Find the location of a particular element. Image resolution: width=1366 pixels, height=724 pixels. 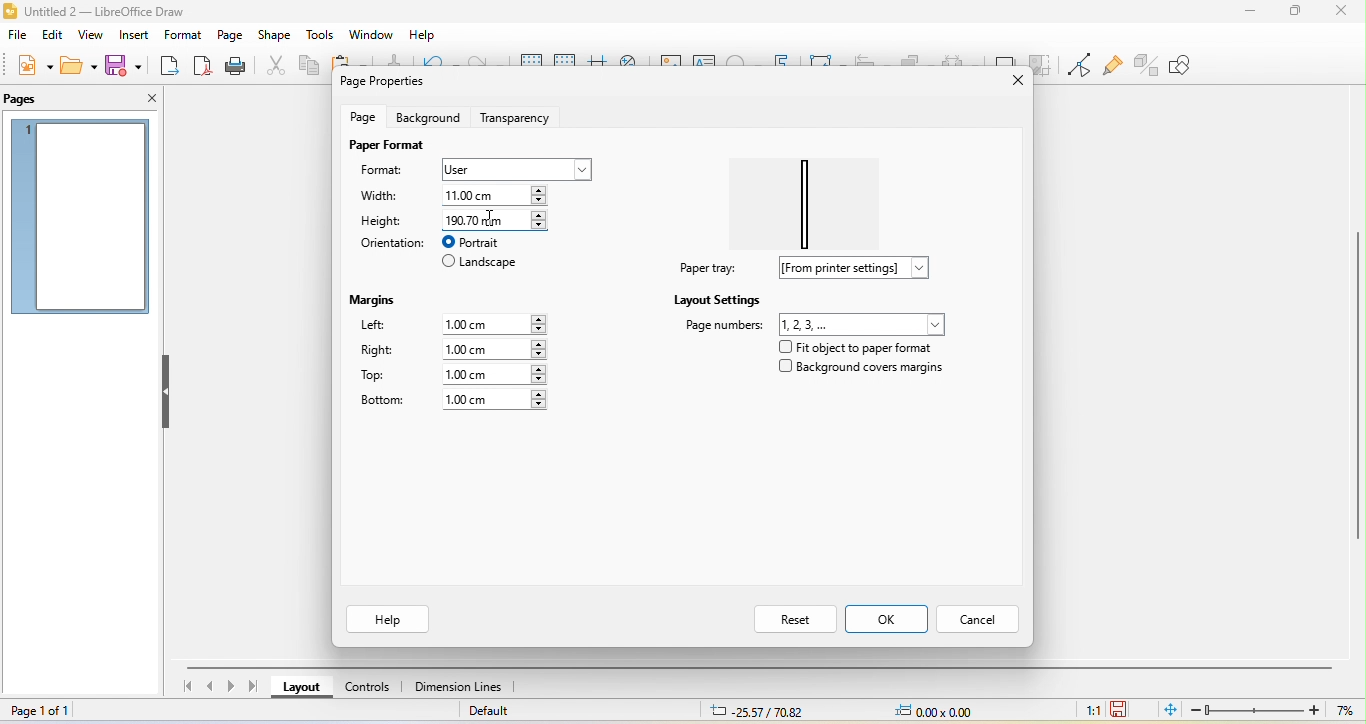

copy is located at coordinates (308, 68).